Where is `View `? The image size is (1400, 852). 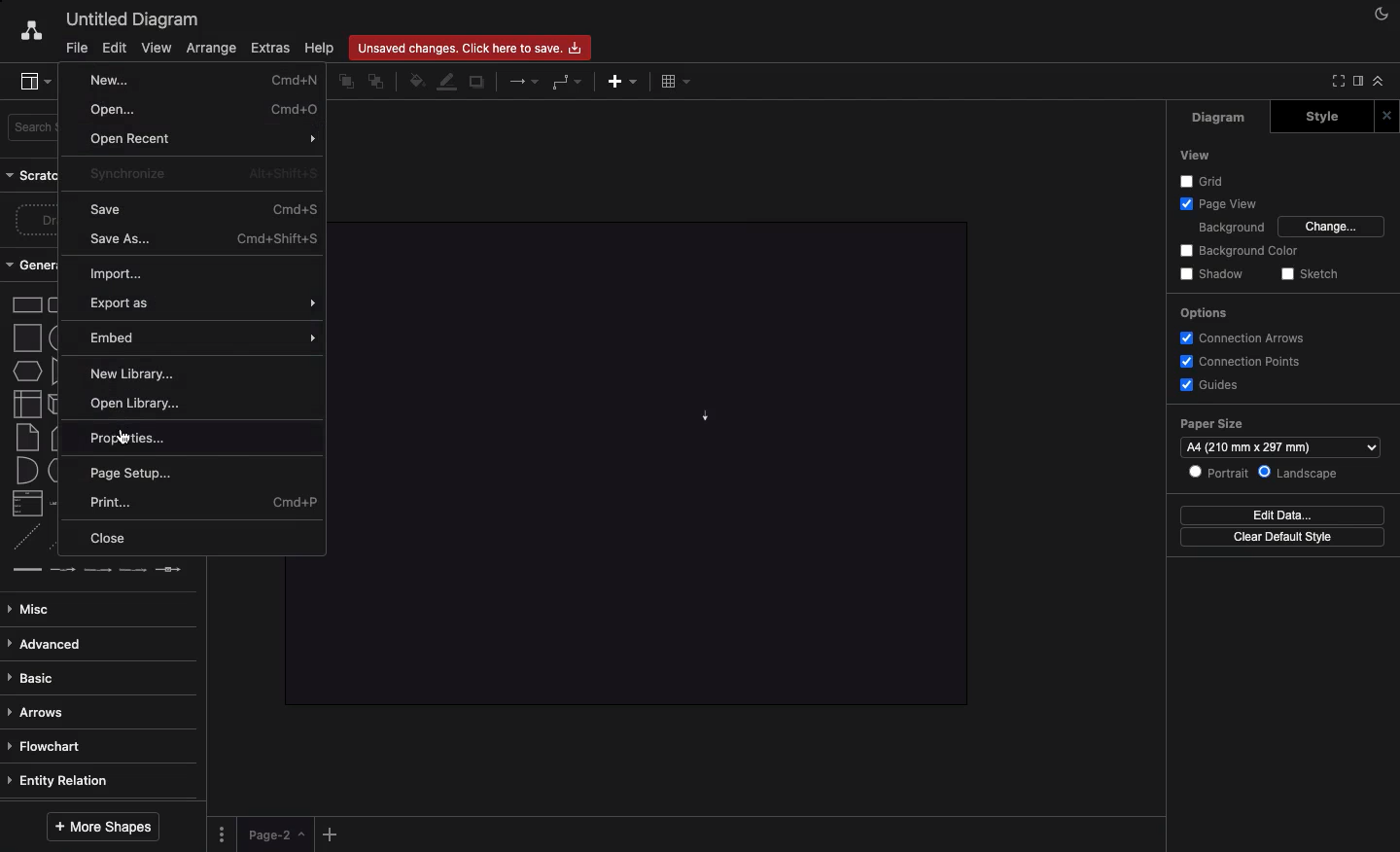 View  is located at coordinates (1194, 156).